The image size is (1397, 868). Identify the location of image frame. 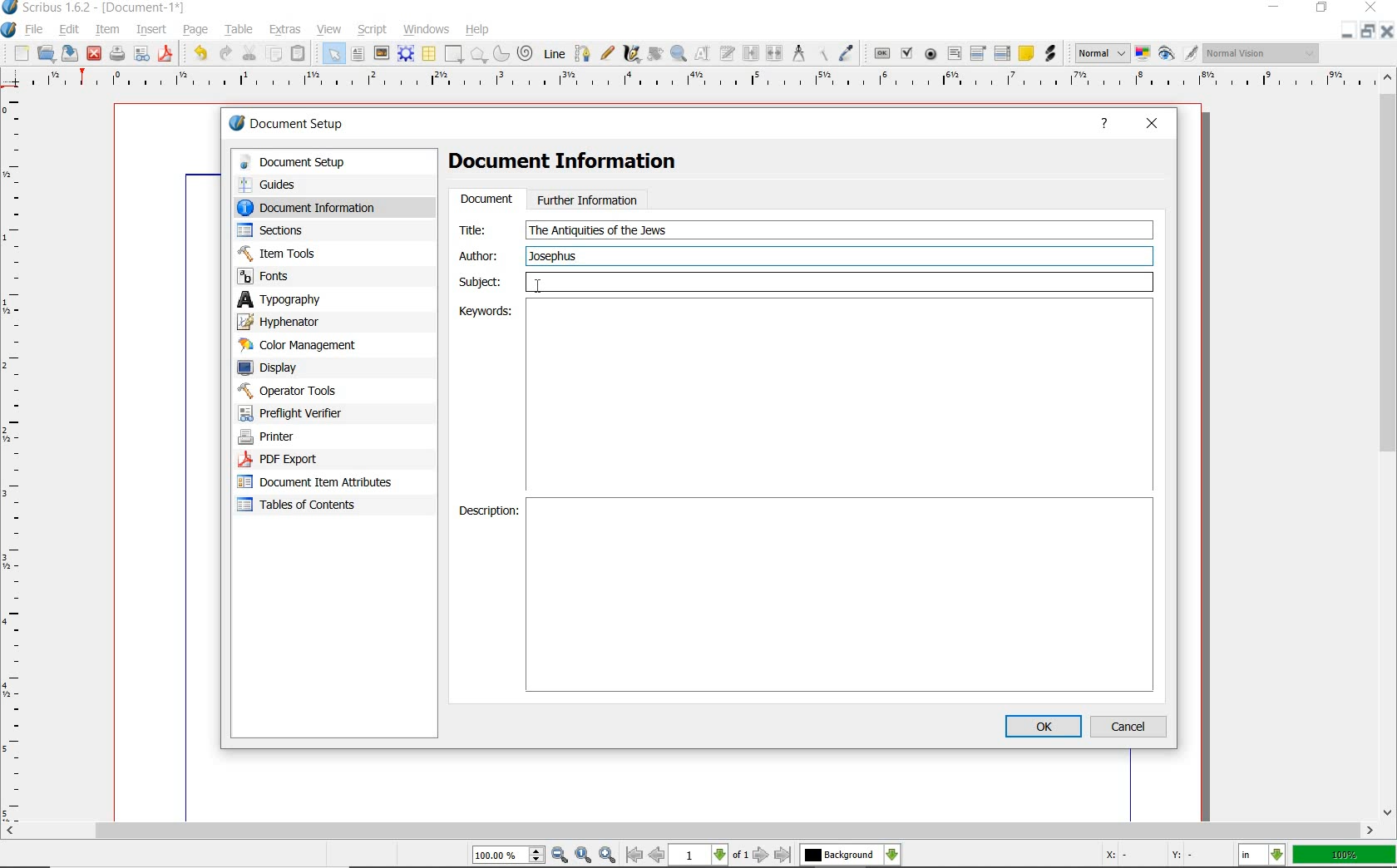
(382, 52).